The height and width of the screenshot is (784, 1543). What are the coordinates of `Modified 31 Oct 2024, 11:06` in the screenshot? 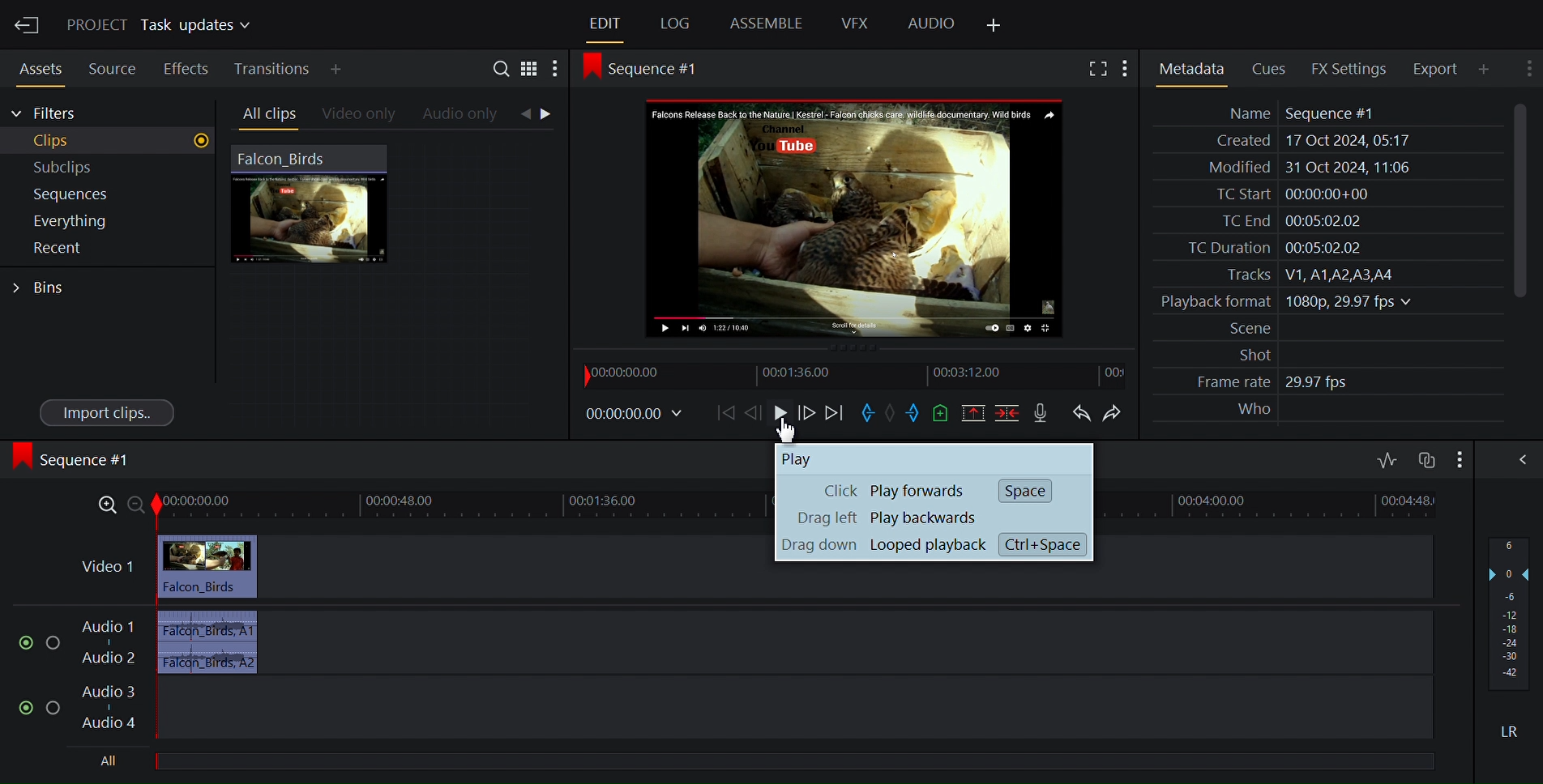 It's located at (1301, 168).